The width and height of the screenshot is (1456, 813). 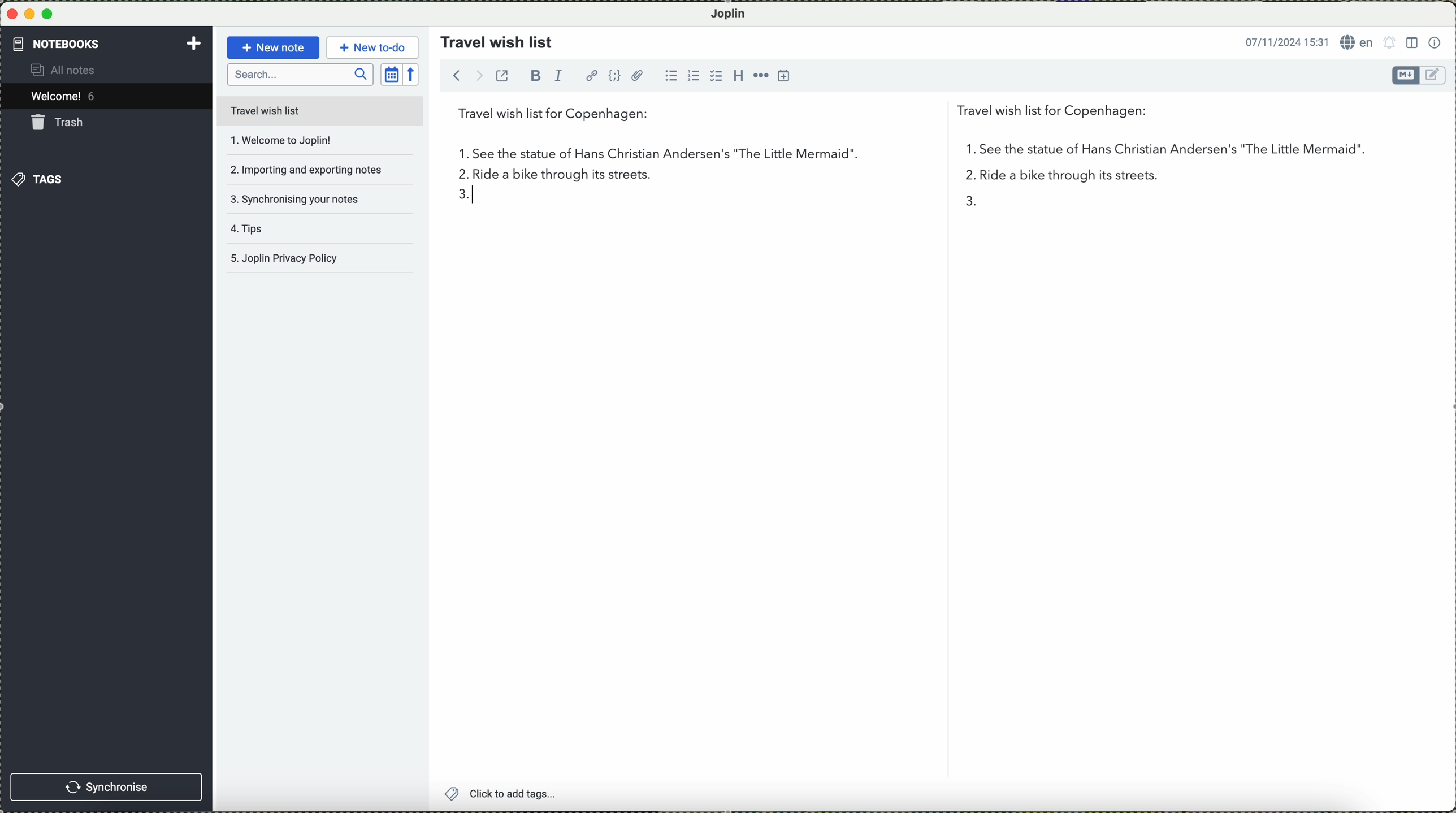 What do you see at coordinates (734, 13) in the screenshot?
I see `Joplin` at bounding box center [734, 13].